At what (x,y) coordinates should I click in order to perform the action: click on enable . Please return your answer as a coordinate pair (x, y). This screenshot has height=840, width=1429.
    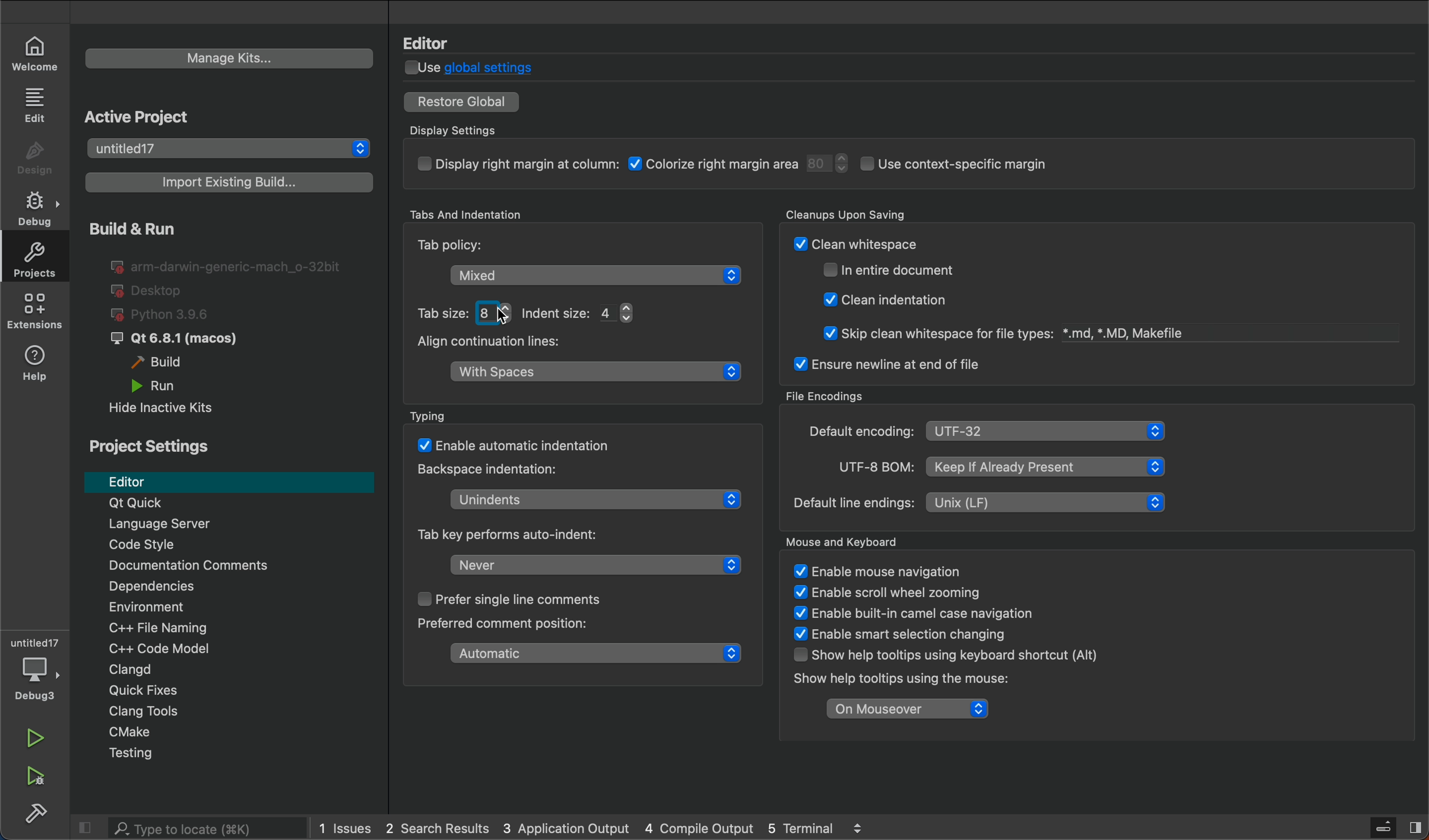
    Looking at the image, I should click on (907, 632).